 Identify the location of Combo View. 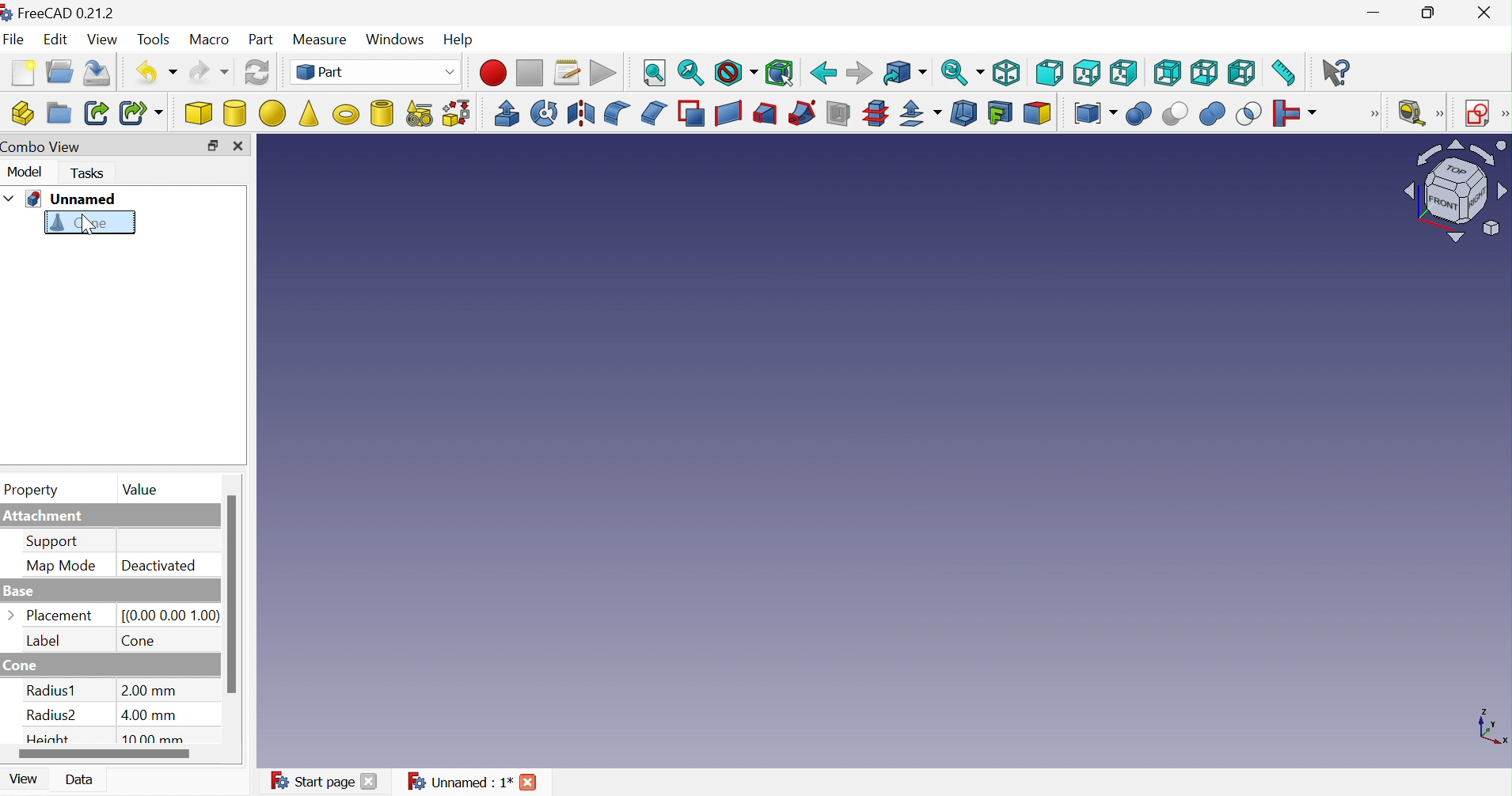
(46, 148).